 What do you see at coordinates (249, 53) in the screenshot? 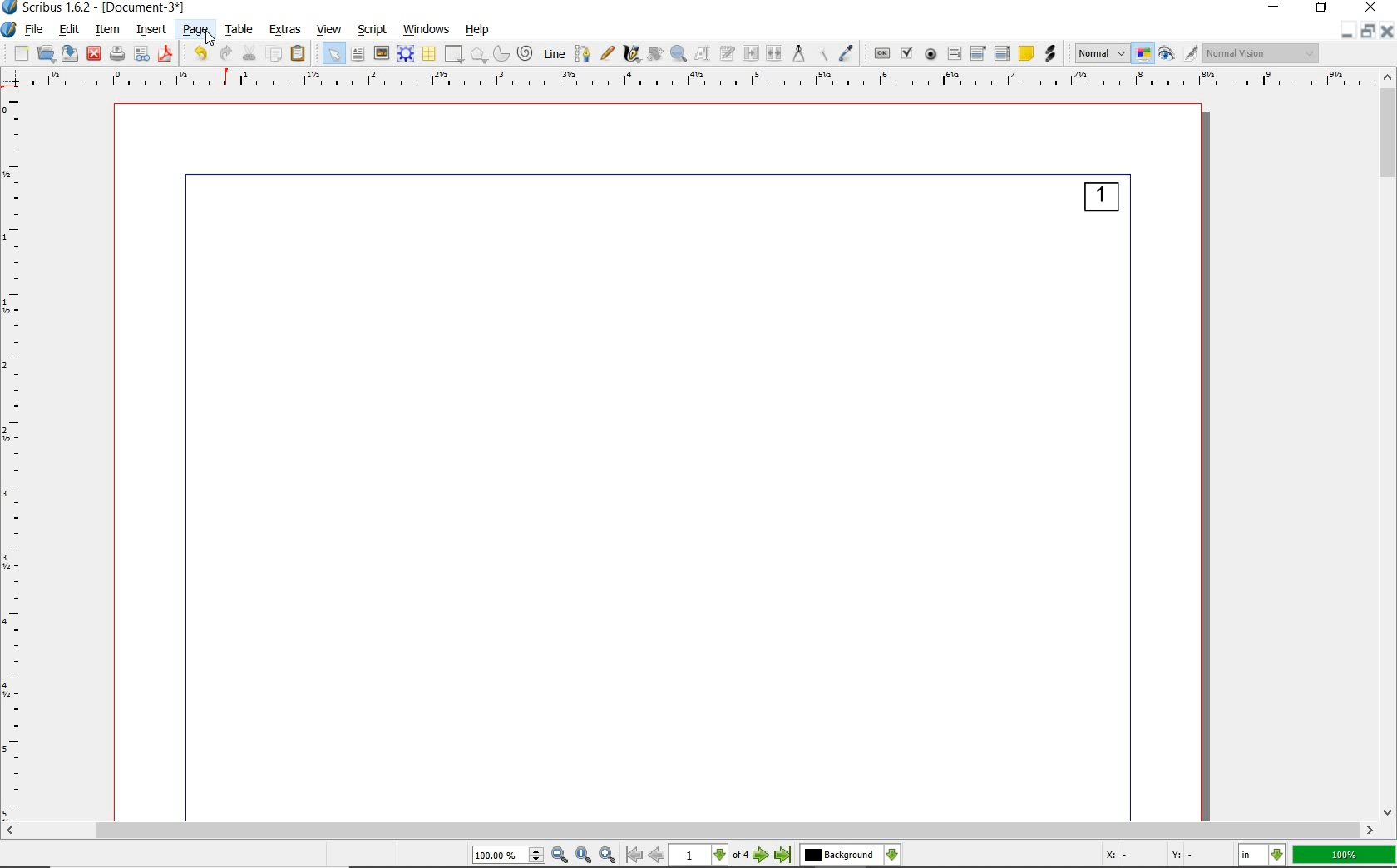
I see `cut` at bounding box center [249, 53].